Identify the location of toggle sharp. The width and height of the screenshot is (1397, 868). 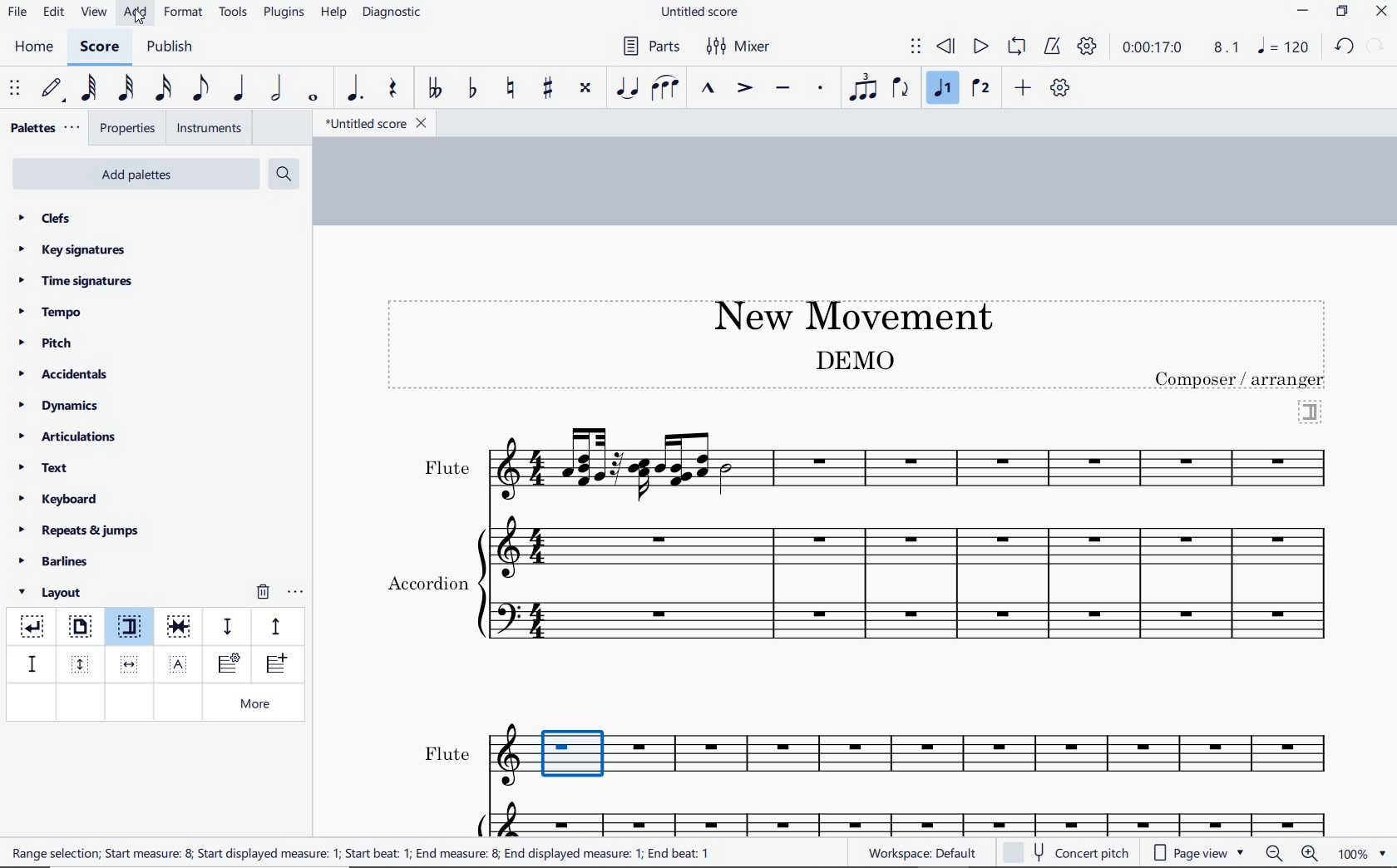
(550, 89).